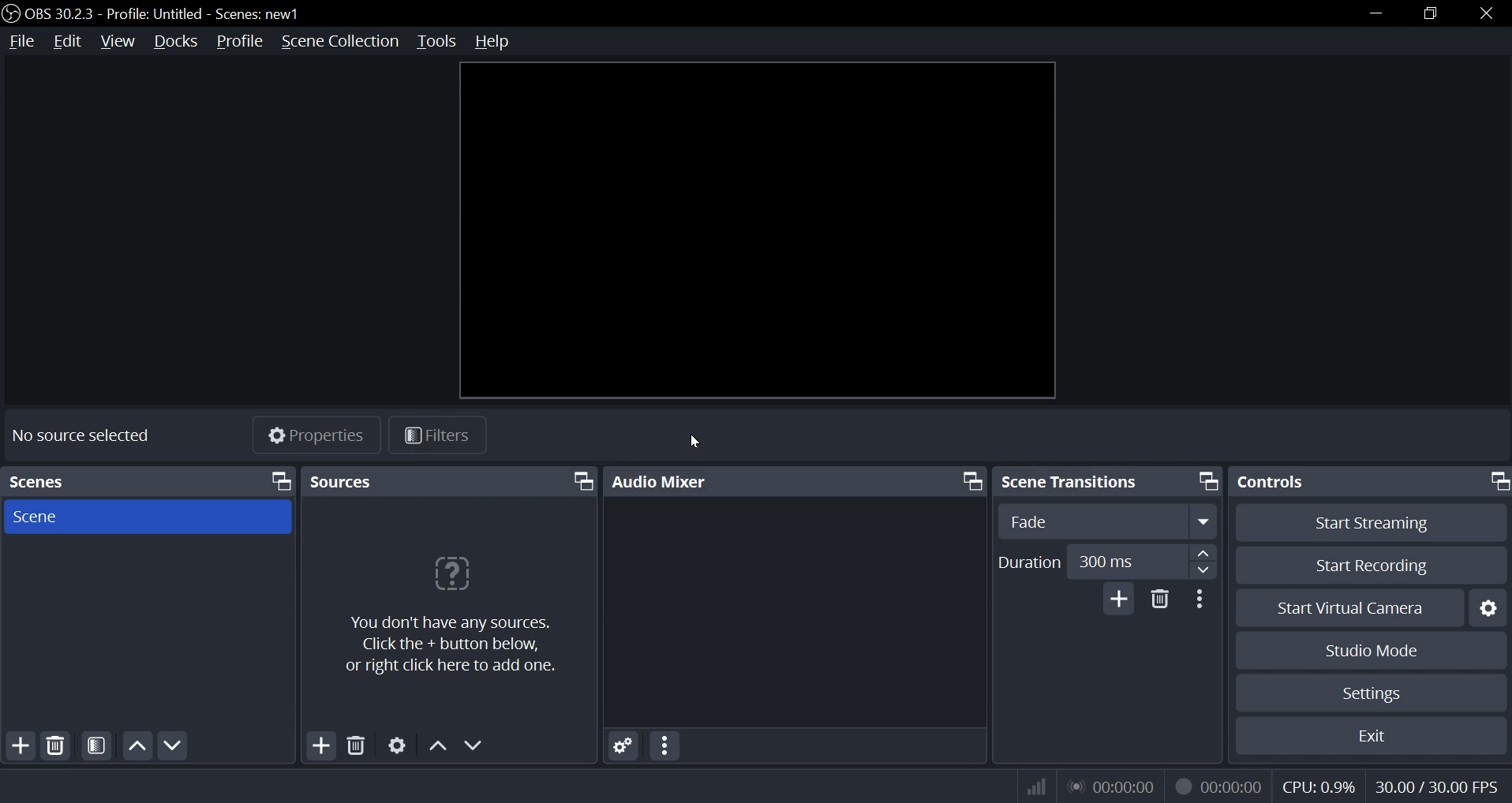 Image resolution: width=1512 pixels, height=803 pixels. Describe the element at coordinates (448, 434) in the screenshot. I see `filters` at that location.